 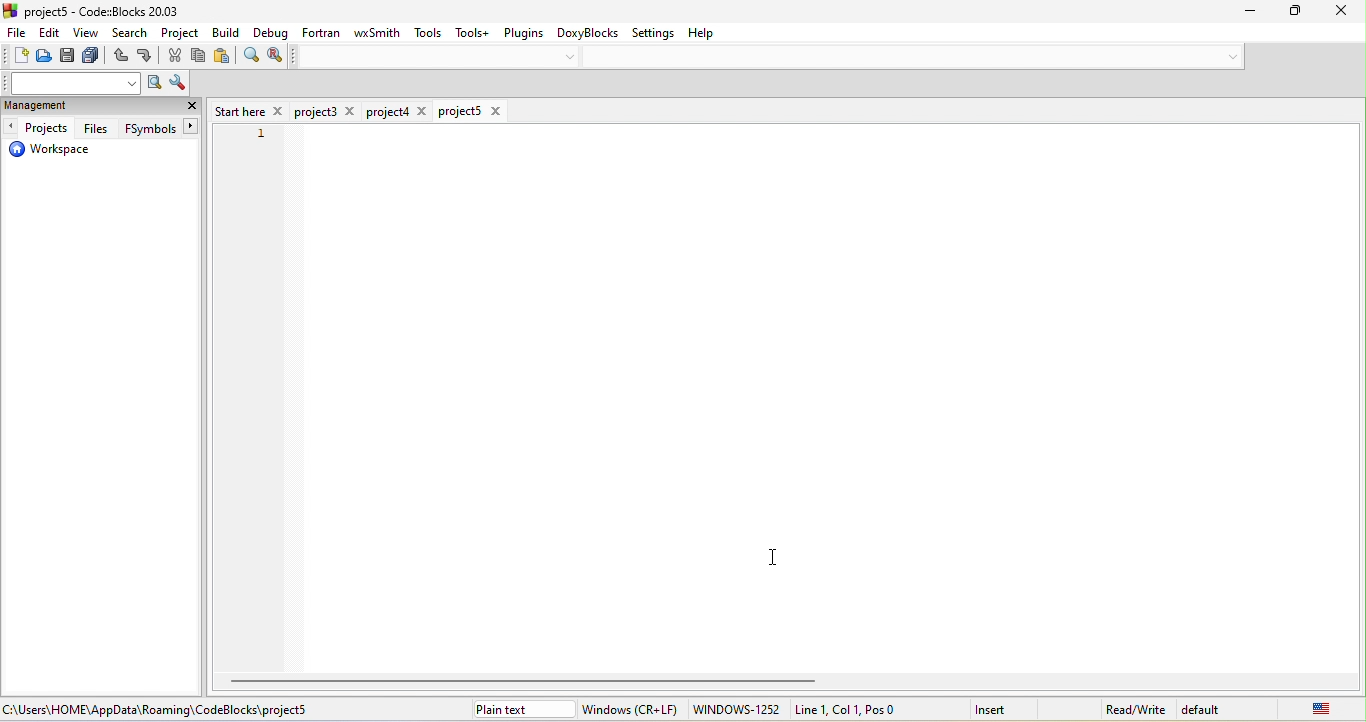 I want to click on horizontal scroll bar, so click(x=529, y=680).